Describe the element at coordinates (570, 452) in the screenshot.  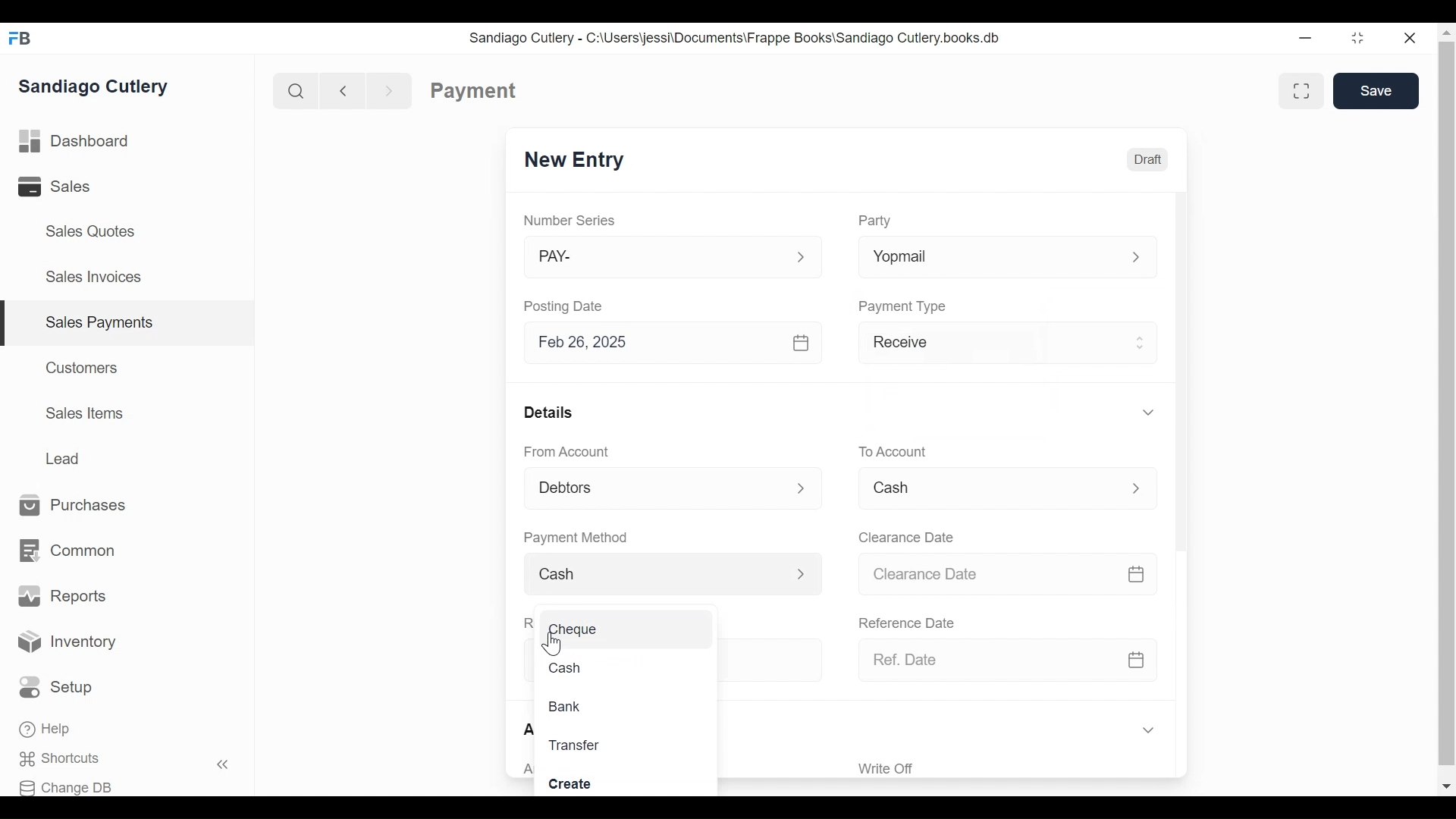
I see `From Account` at that location.